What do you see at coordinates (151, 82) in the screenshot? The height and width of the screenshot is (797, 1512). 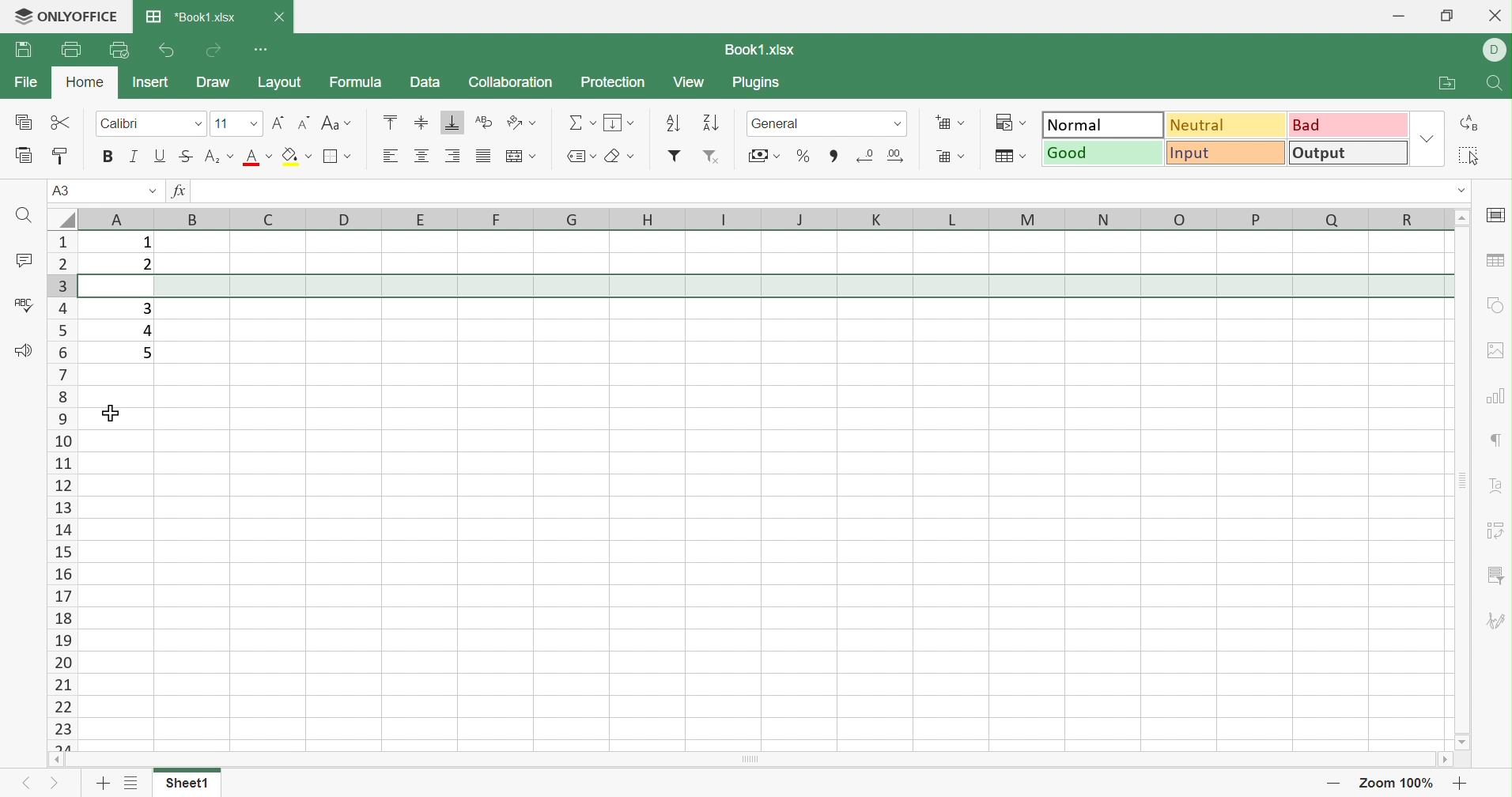 I see `Insert` at bounding box center [151, 82].